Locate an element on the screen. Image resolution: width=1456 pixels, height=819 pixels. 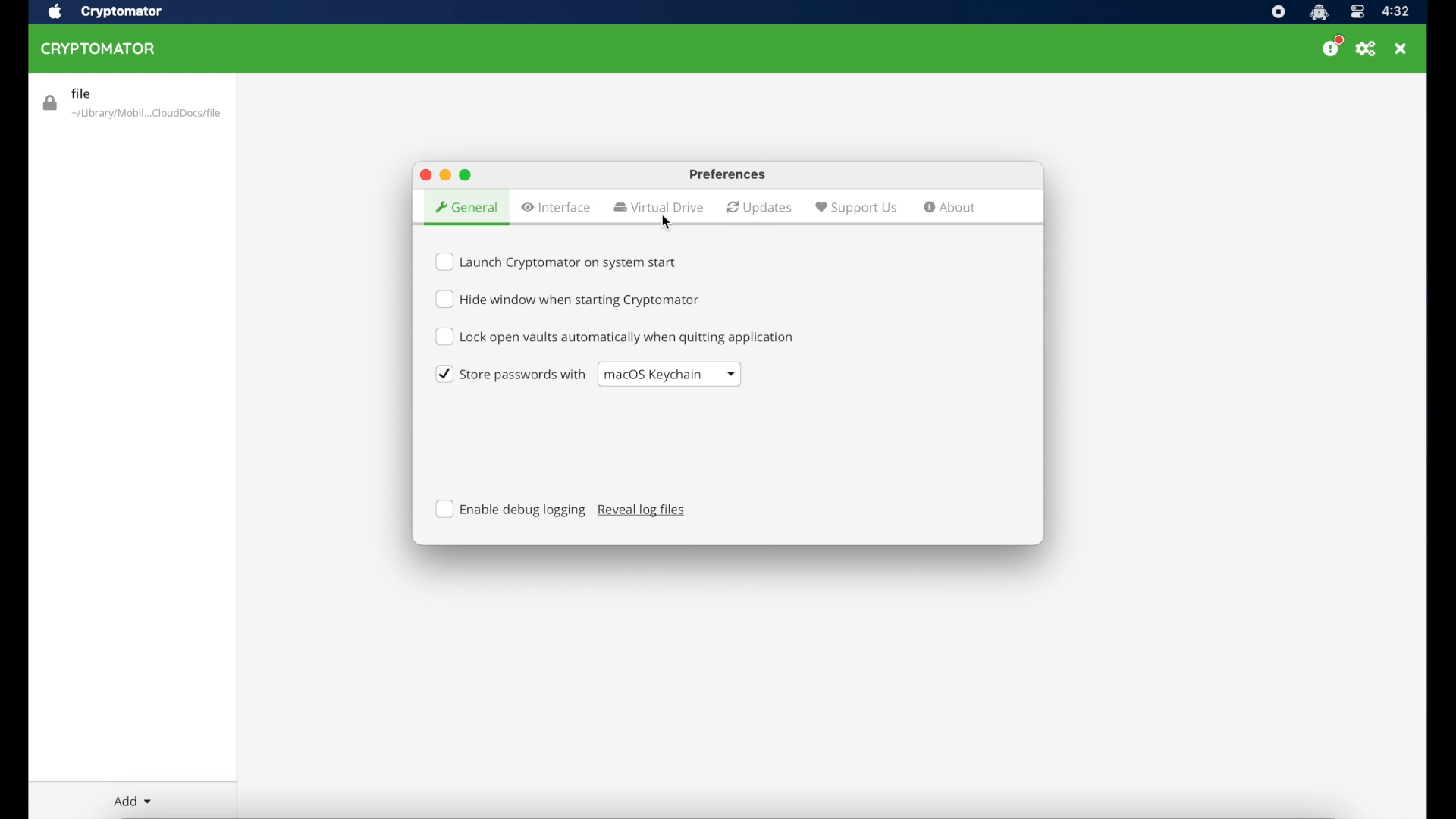
store passwords with is located at coordinates (510, 374).